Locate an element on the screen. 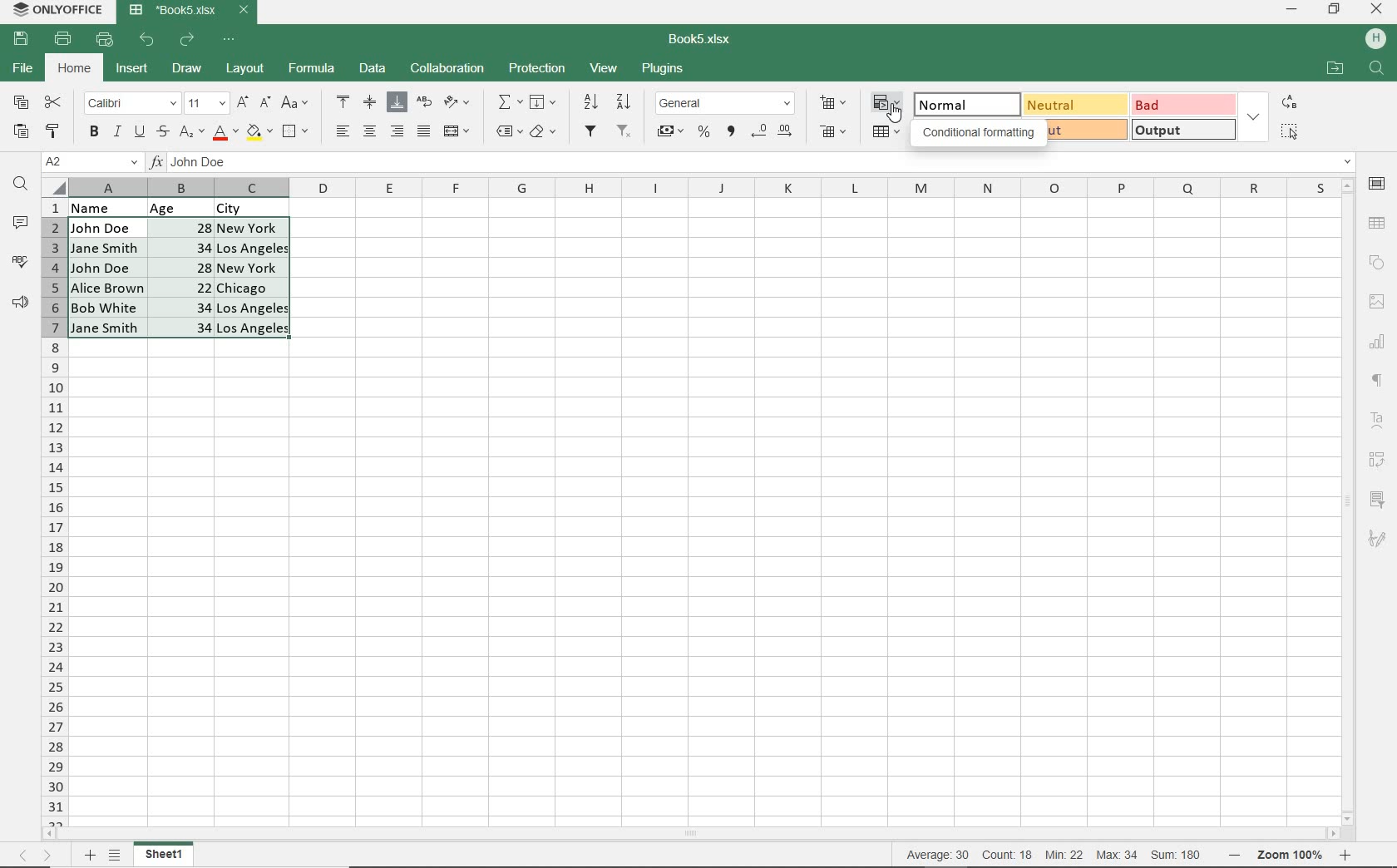 This screenshot has width=1397, height=868. NAME MANAGER is located at coordinates (91, 162).